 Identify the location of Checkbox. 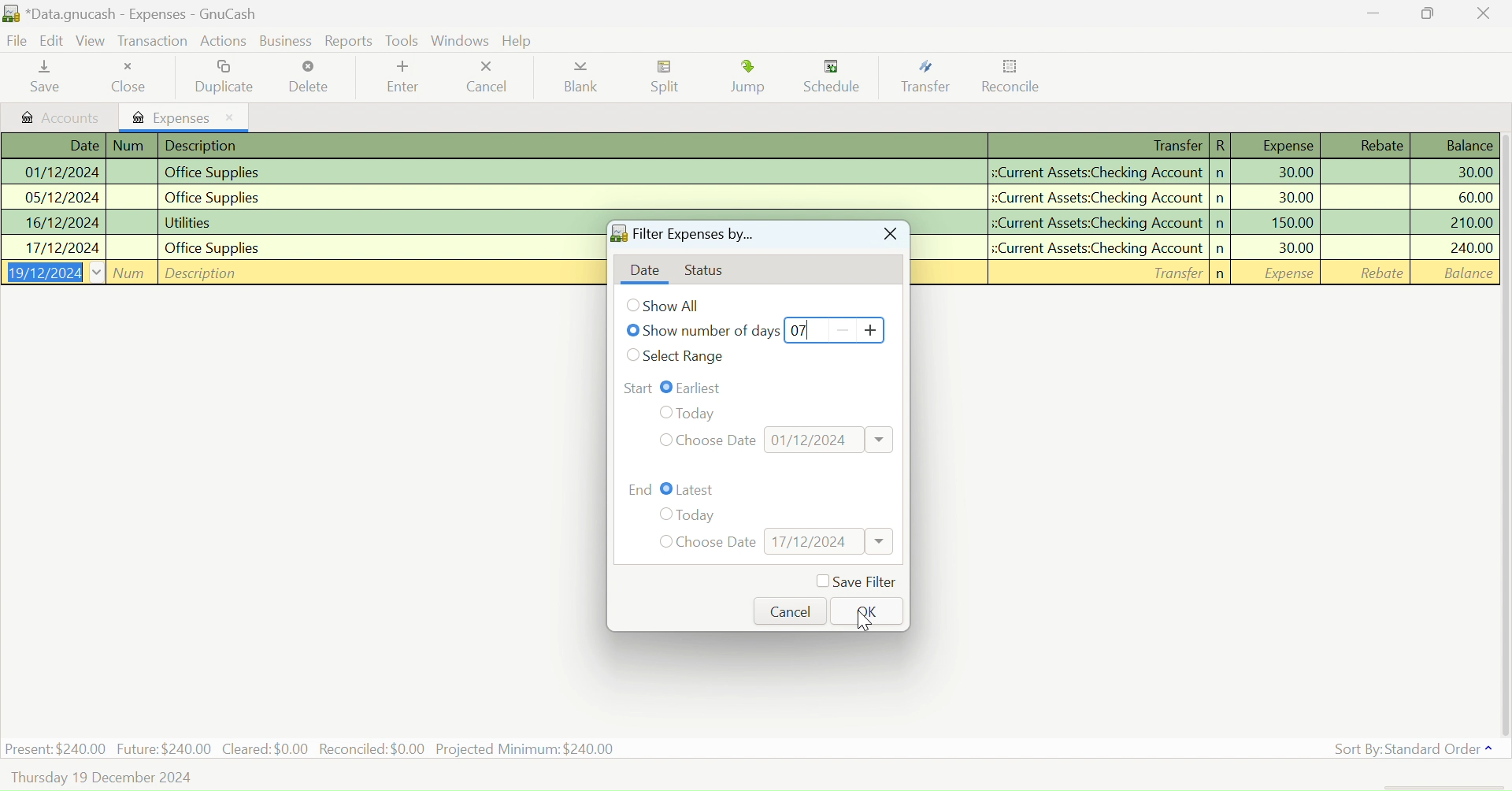
(663, 440).